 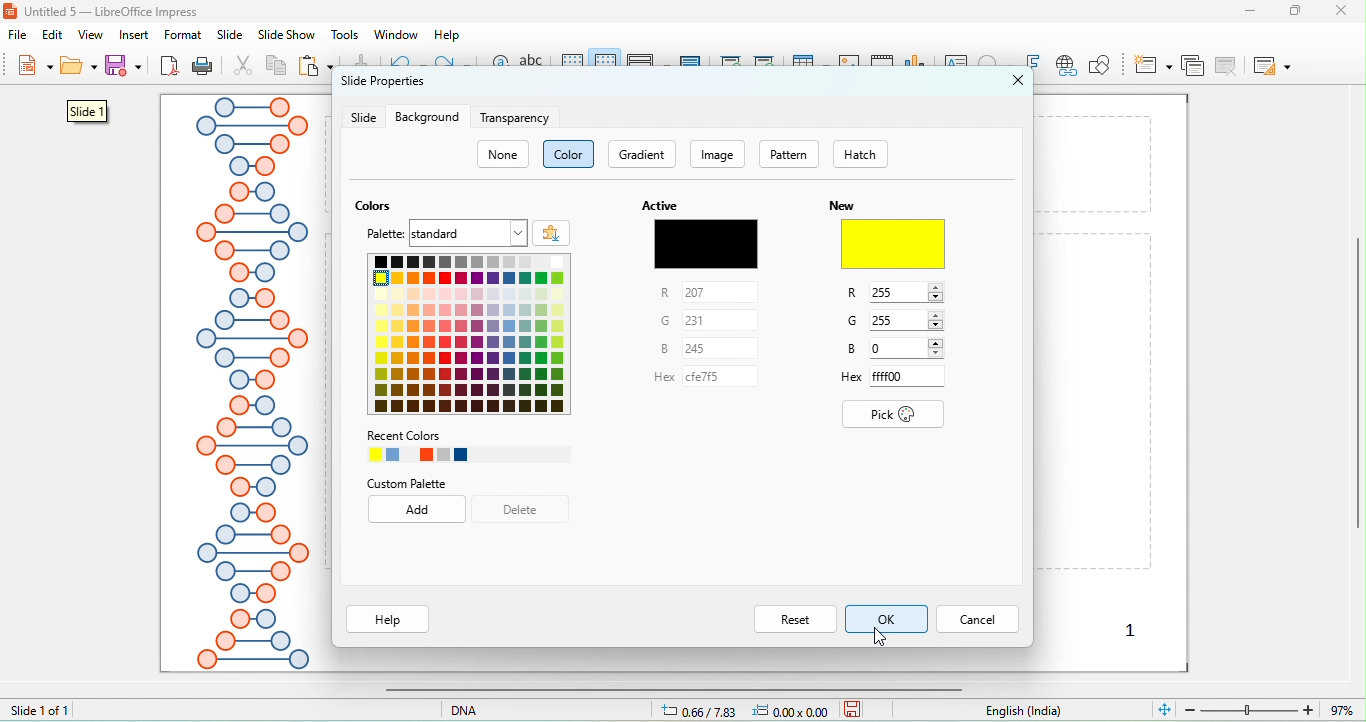 I want to click on clone, so click(x=359, y=61).